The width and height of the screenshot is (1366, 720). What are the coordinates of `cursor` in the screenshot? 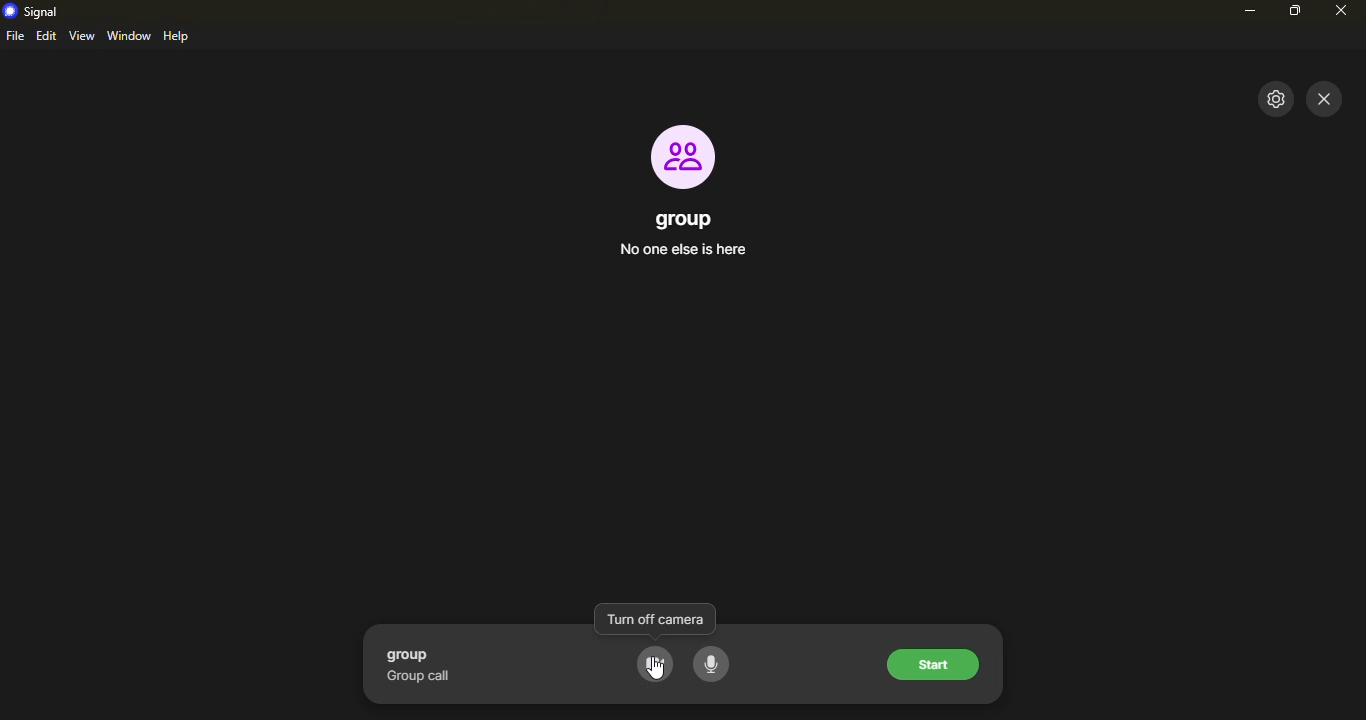 It's located at (655, 668).